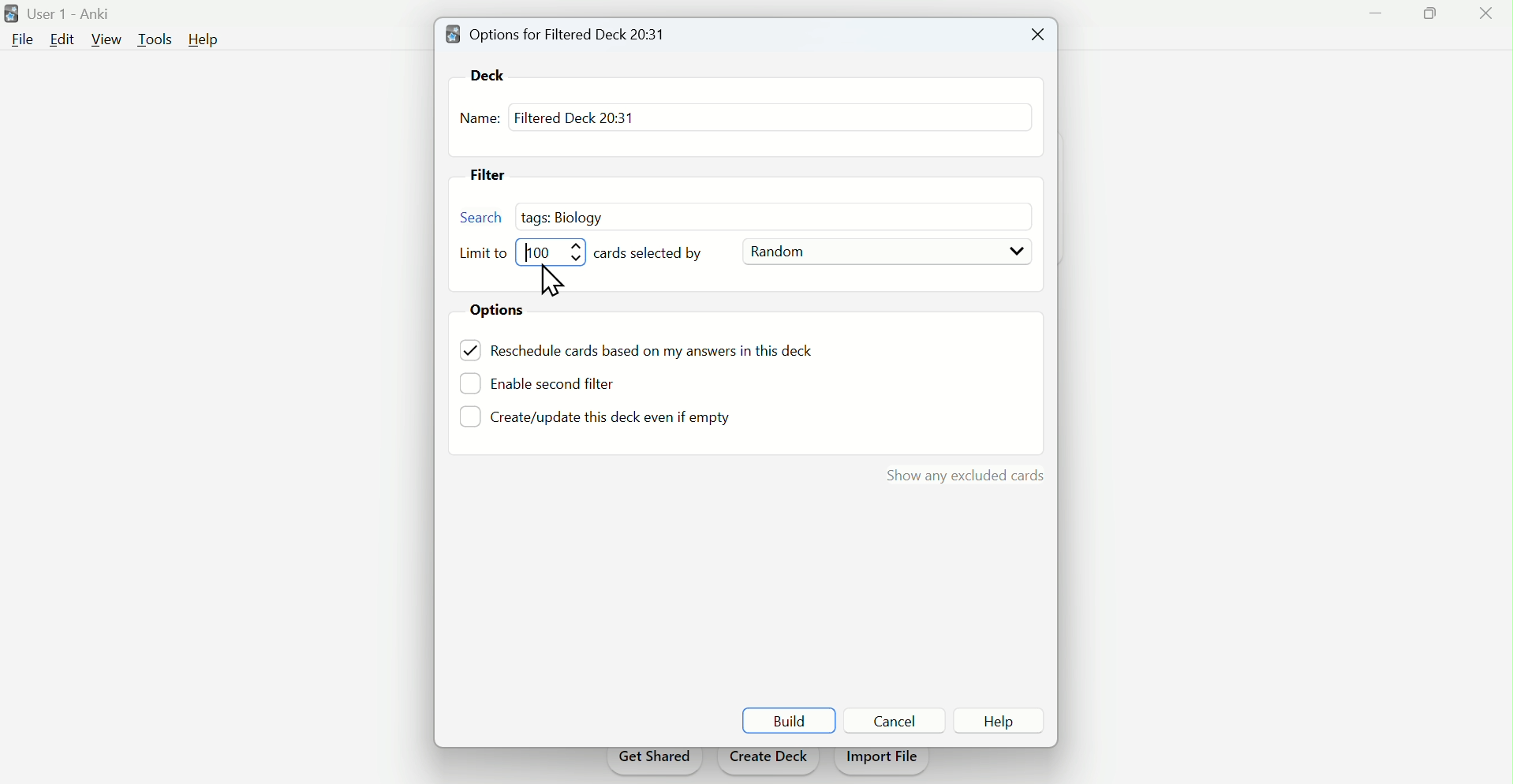  I want to click on  build Build, so click(789, 718).